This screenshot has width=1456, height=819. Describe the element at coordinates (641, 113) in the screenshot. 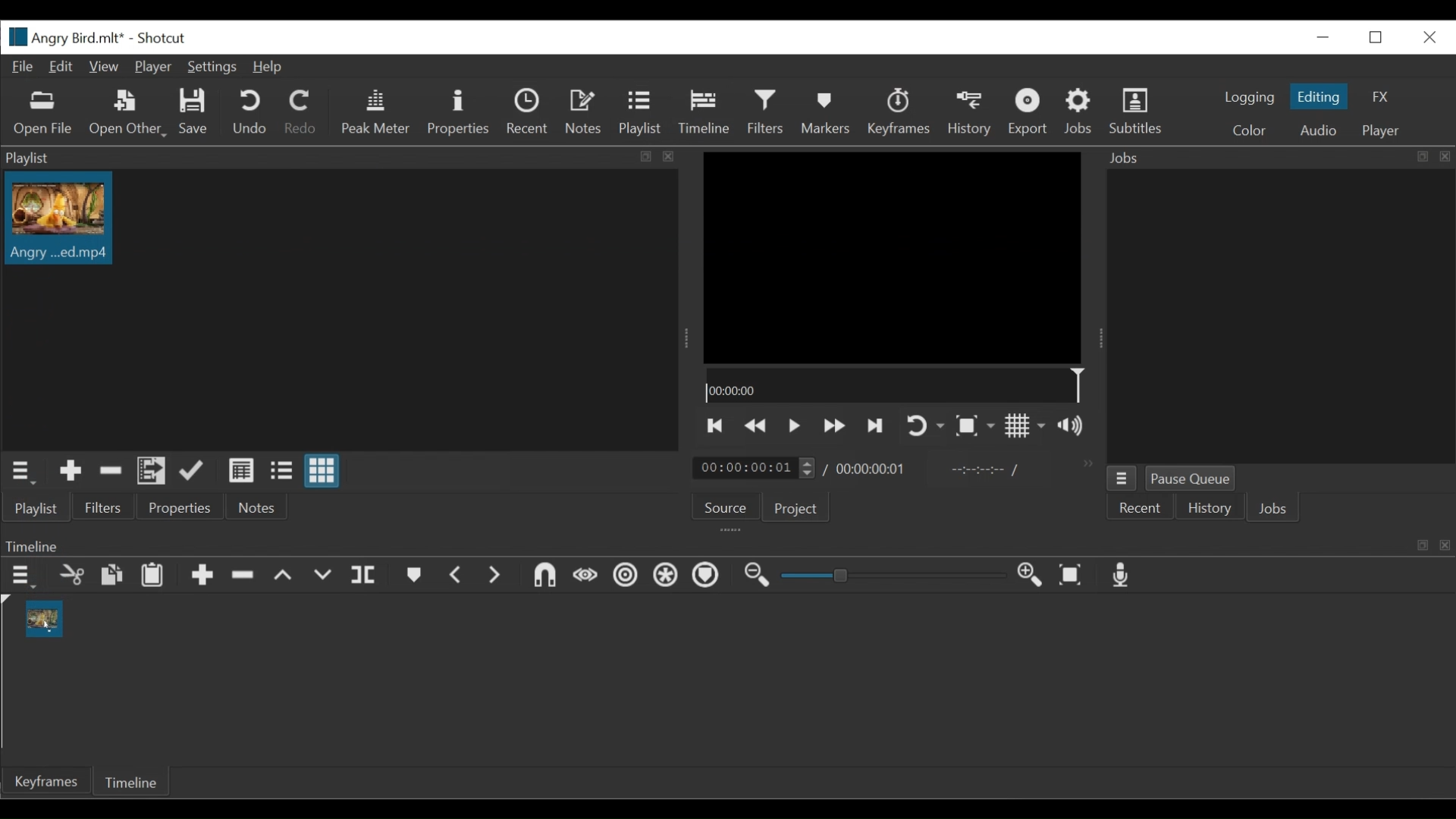

I see `Playlist` at that location.